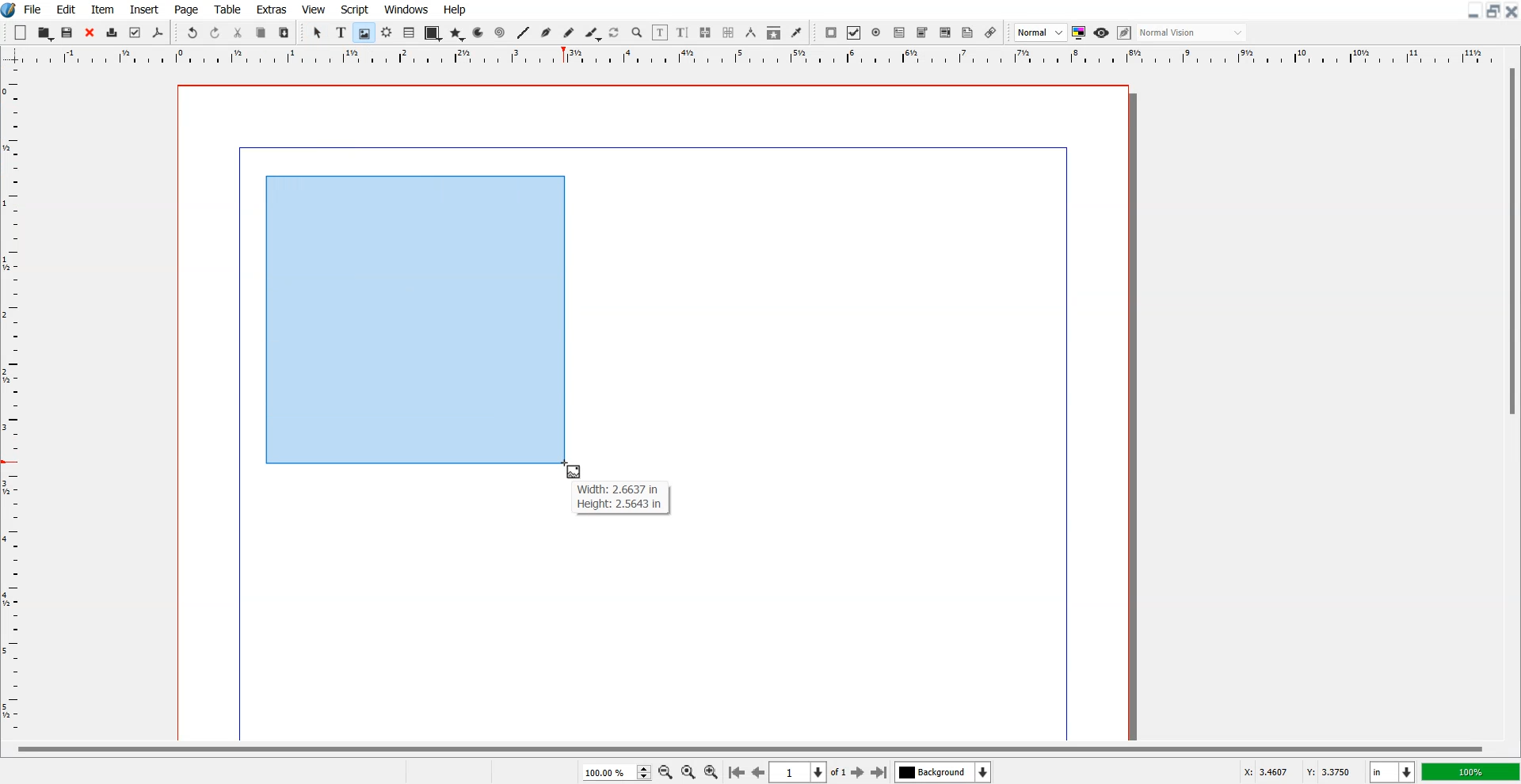 Image resolution: width=1521 pixels, height=784 pixels. I want to click on Link Text frame, so click(705, 32).